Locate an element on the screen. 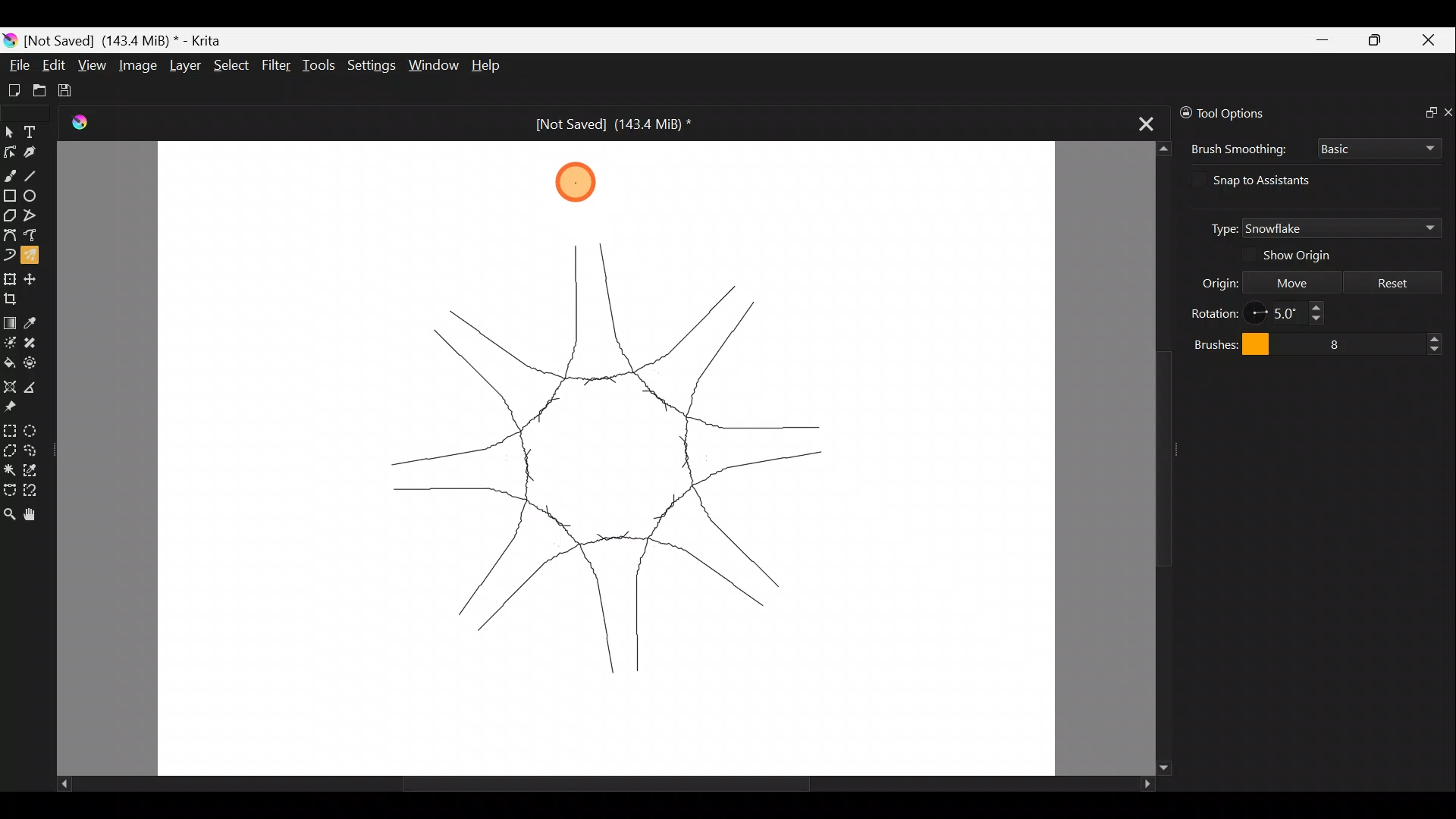  Polygon is located at coordinates (9, 215).